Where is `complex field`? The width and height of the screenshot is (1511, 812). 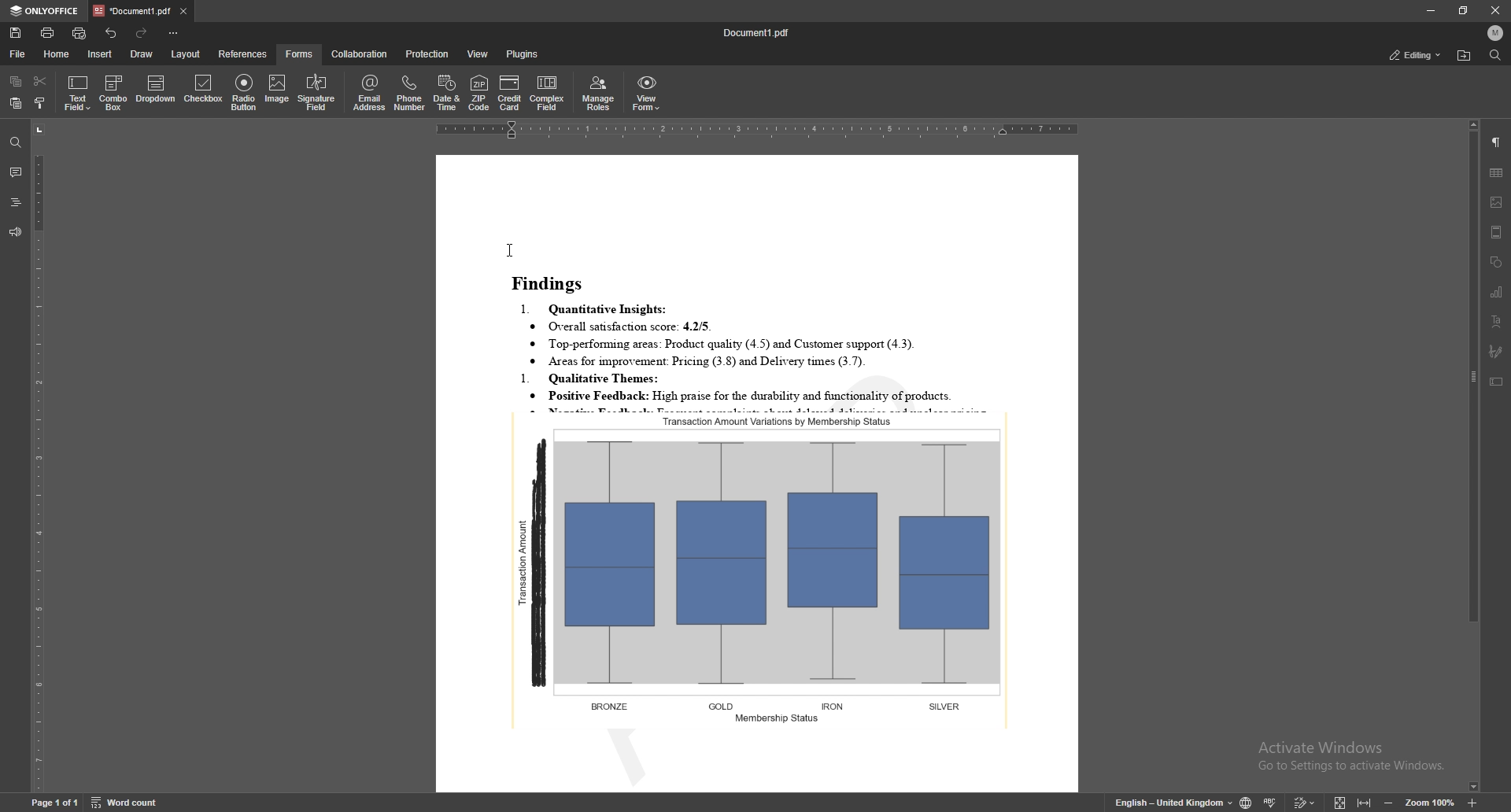
complex field is located at coordinates (549, 94).